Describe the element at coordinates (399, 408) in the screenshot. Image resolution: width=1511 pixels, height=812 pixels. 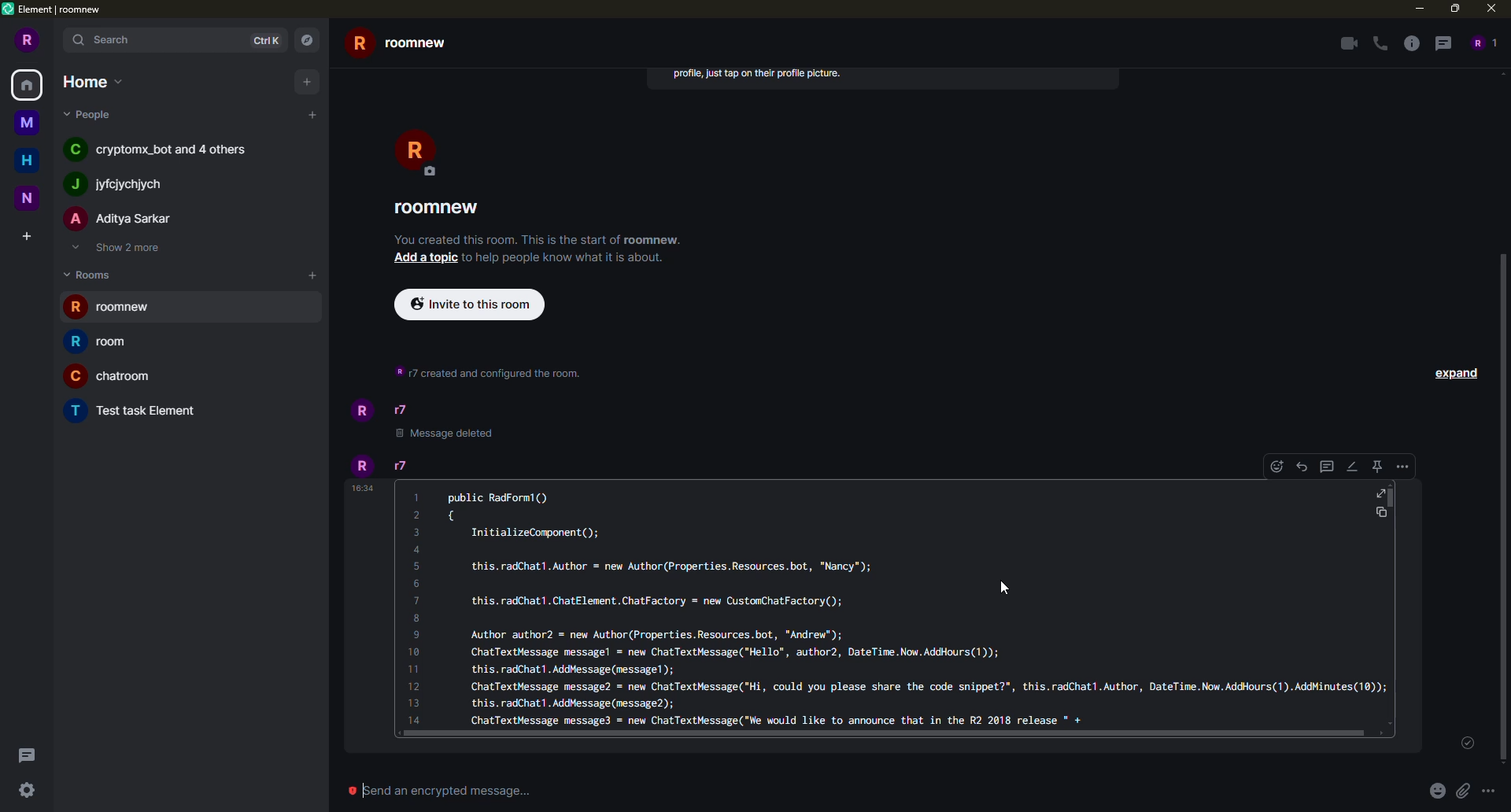
I see `r7` at that location.